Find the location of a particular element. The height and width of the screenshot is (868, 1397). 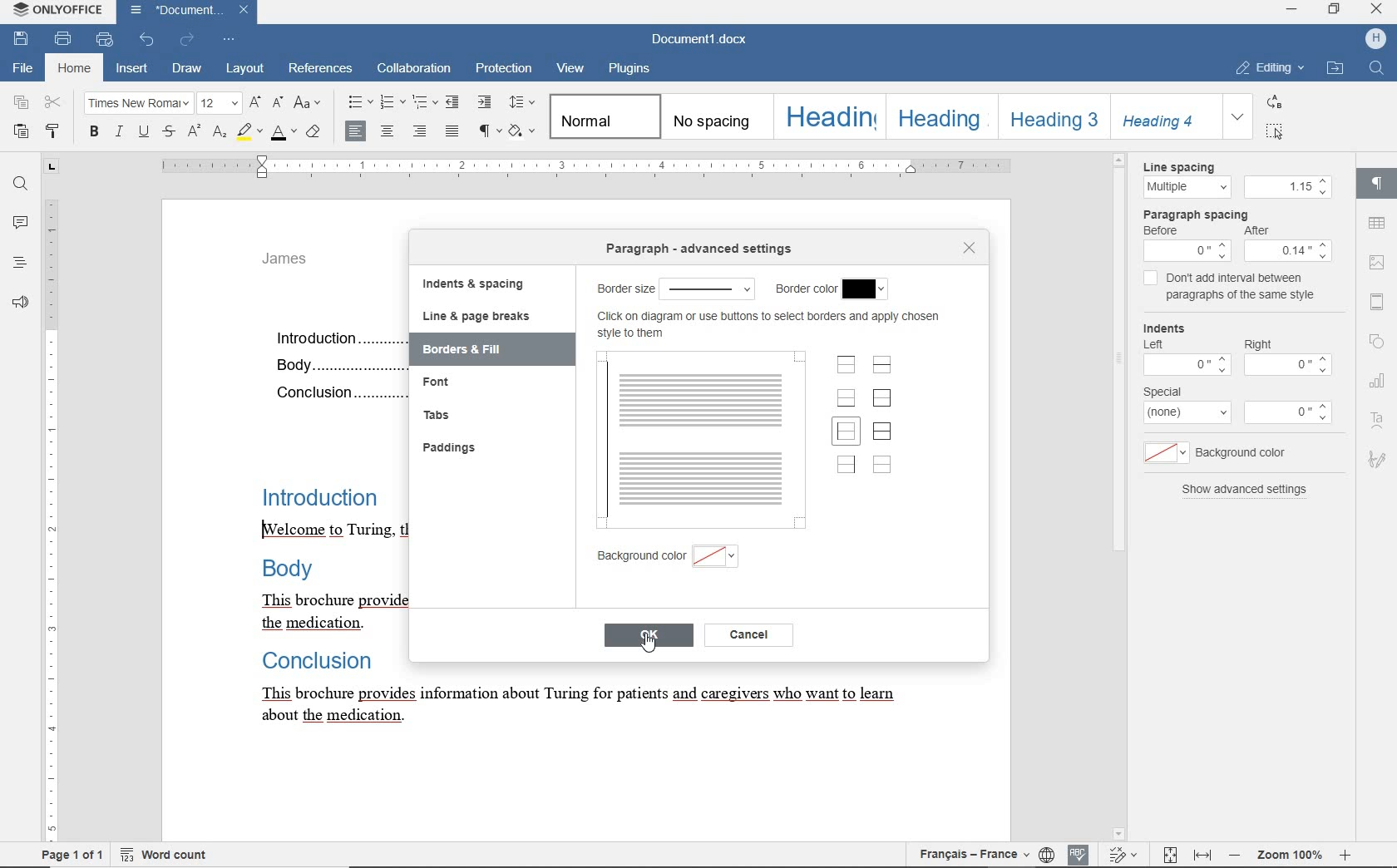

right is located at coordinates (1260, 343).